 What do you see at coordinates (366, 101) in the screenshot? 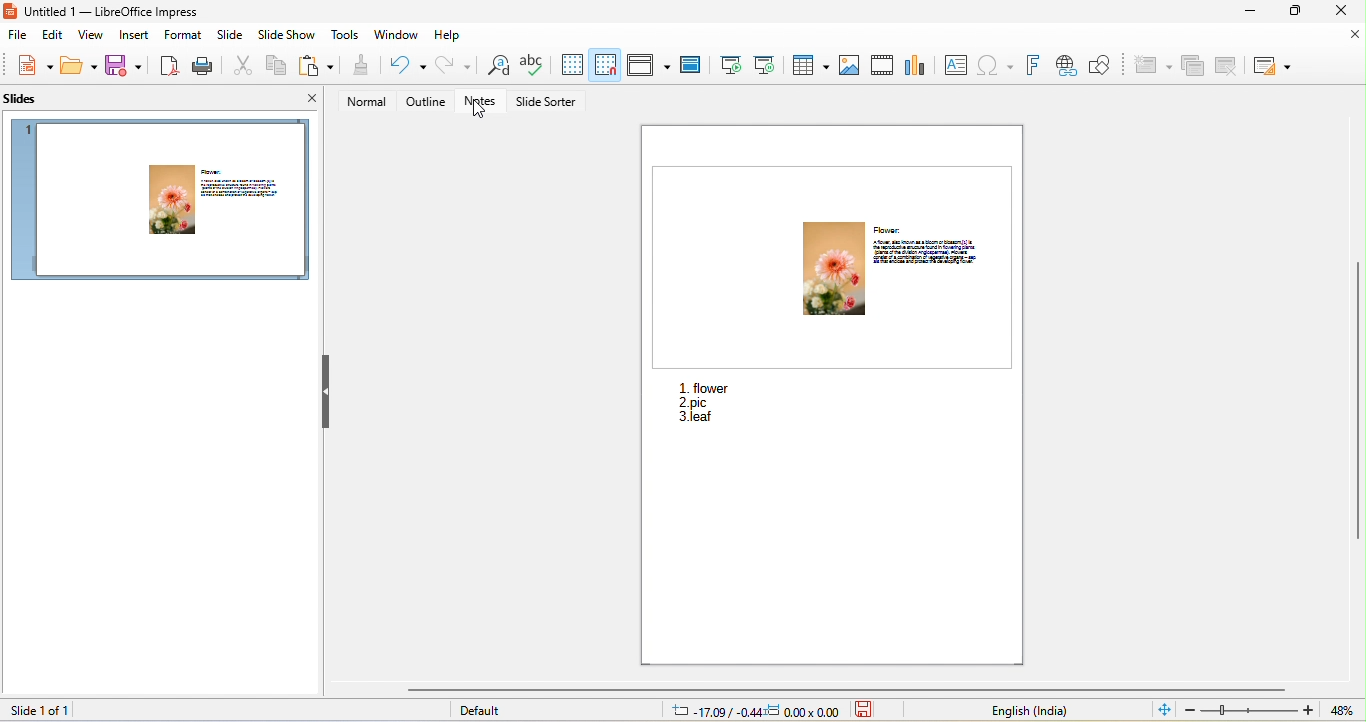
I see `normal` at bounding box center [366, 101].